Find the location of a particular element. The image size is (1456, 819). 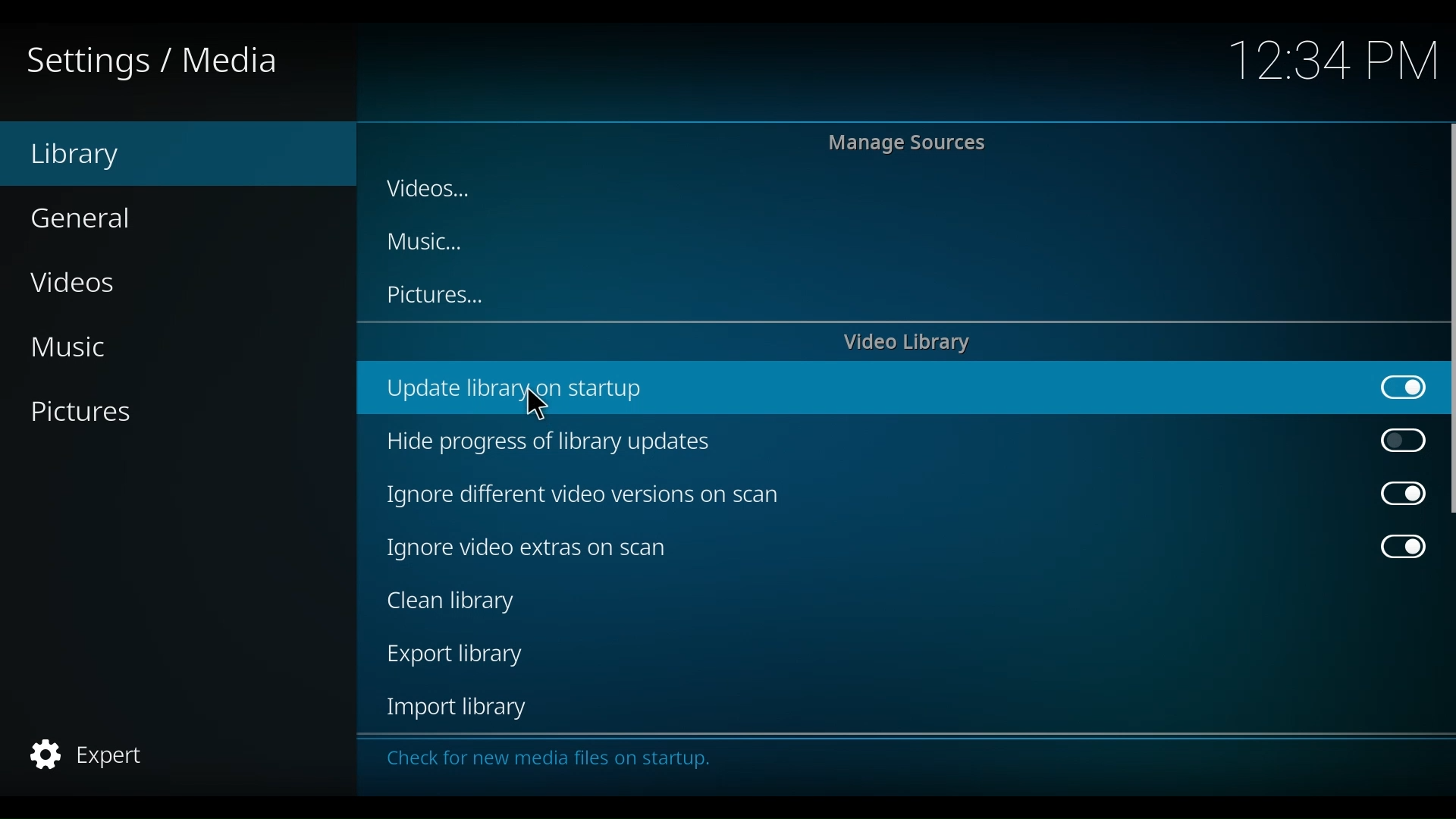

Music is located at coordinates (429, 242).